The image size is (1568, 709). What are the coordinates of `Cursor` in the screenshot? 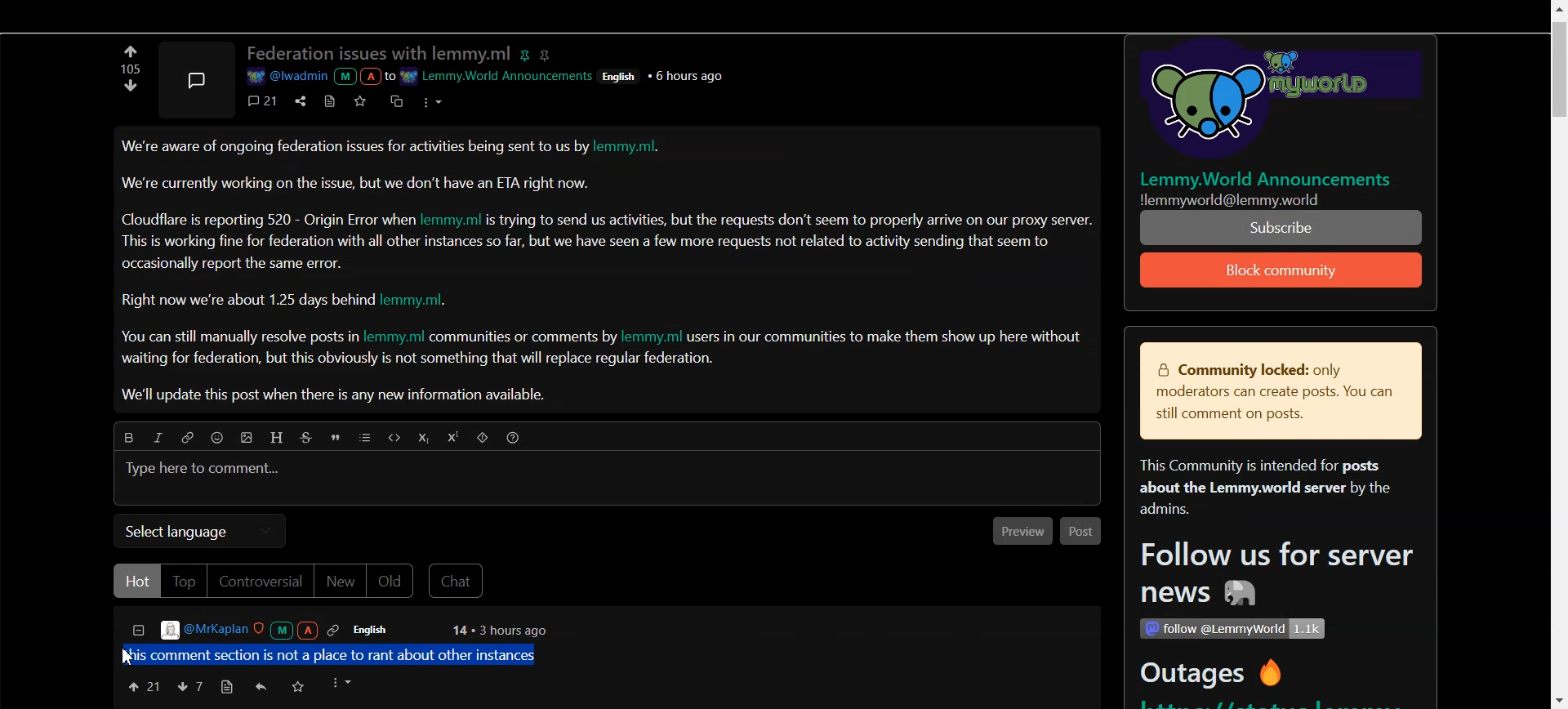 It's located at (131, 657).